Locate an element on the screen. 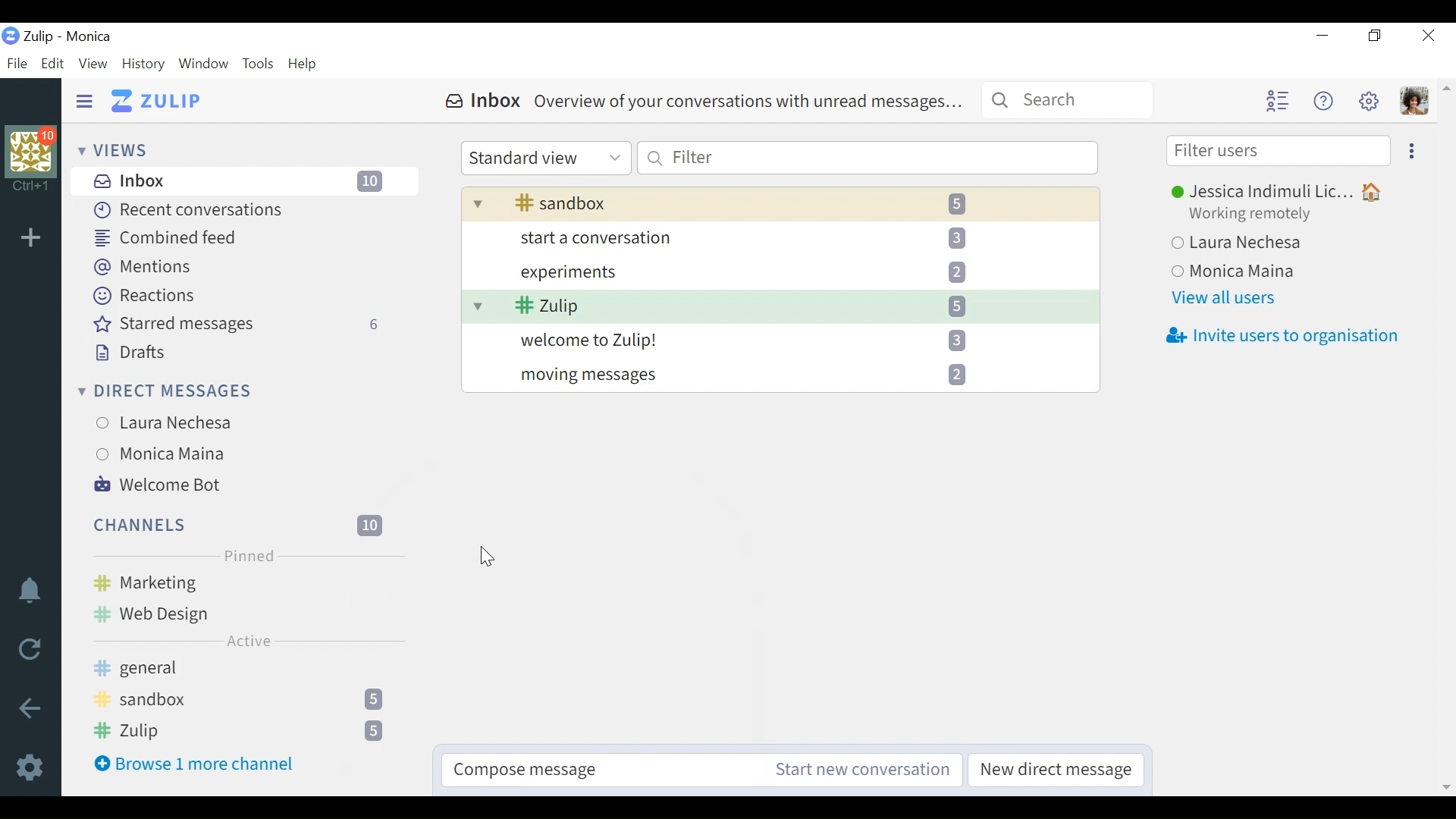 Image resolution: width=1456 pixels, height=819 pixels. Sandbox 5 is located at coordinates (777, 203).